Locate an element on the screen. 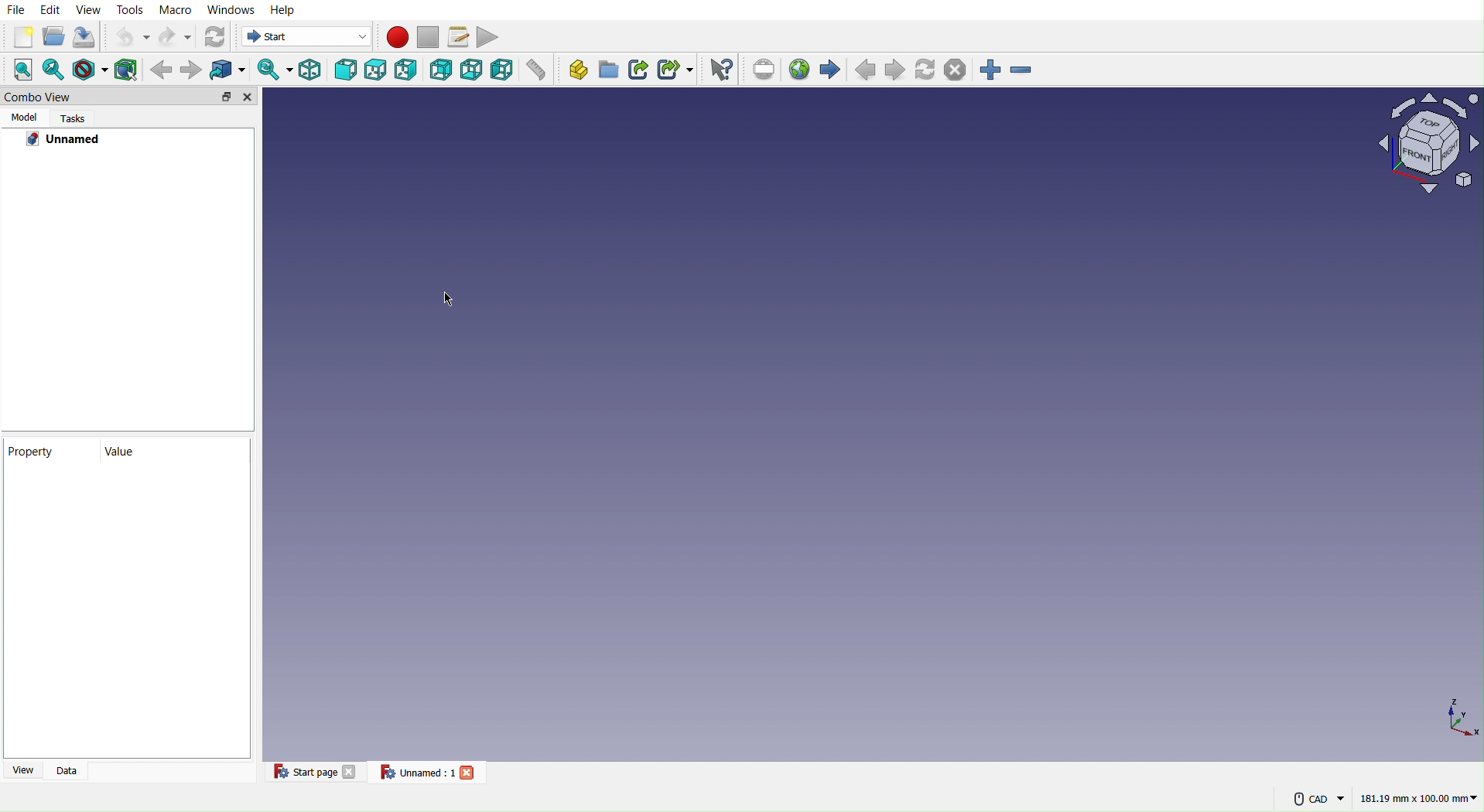  Tasks is located at coordinates (77, 118).